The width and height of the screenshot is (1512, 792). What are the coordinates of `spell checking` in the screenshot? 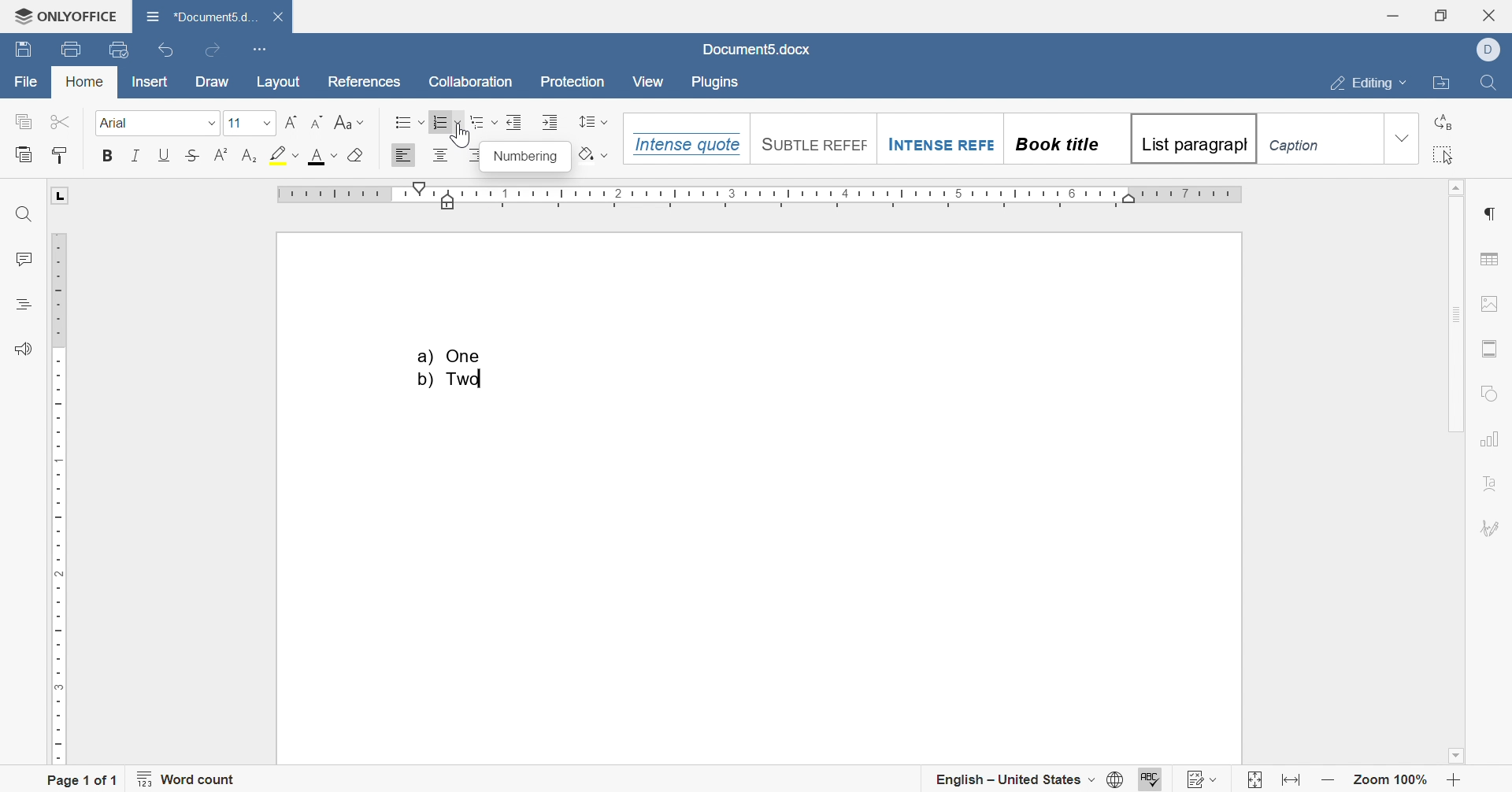 It's located at (1151, 779).